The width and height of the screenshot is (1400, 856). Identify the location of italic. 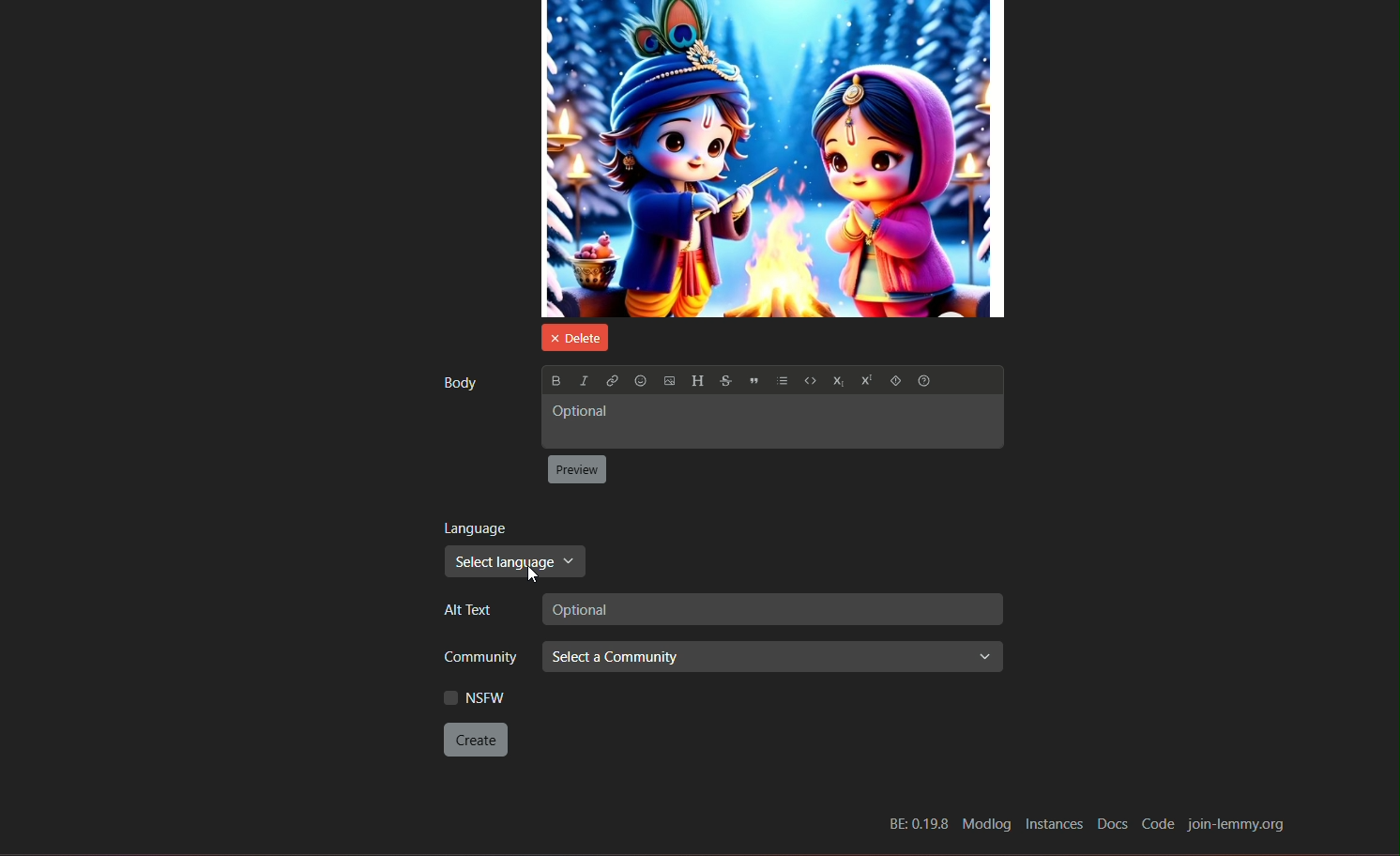
(582, 379).